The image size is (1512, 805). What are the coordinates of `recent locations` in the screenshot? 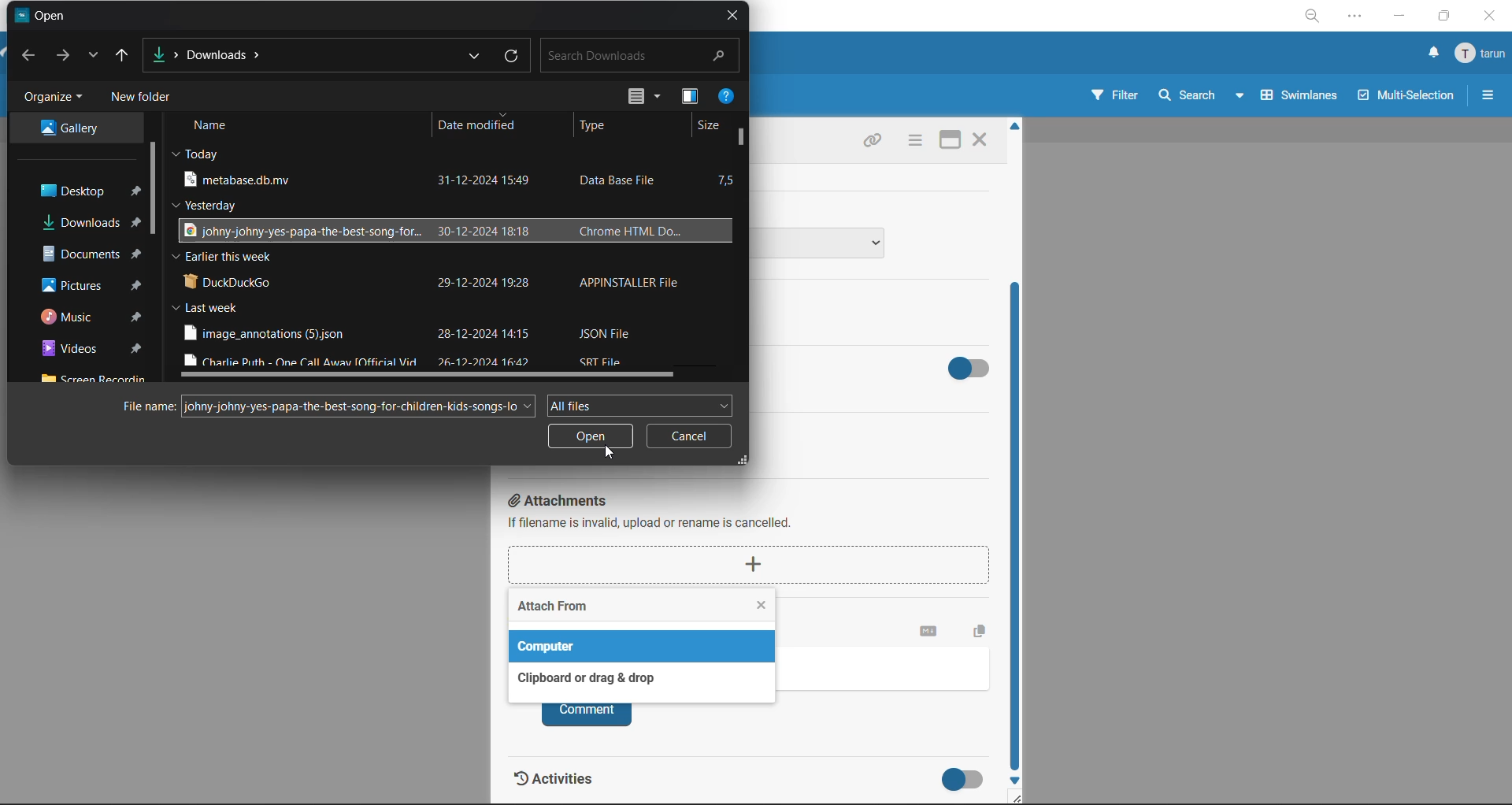 It's located at (95, 52).